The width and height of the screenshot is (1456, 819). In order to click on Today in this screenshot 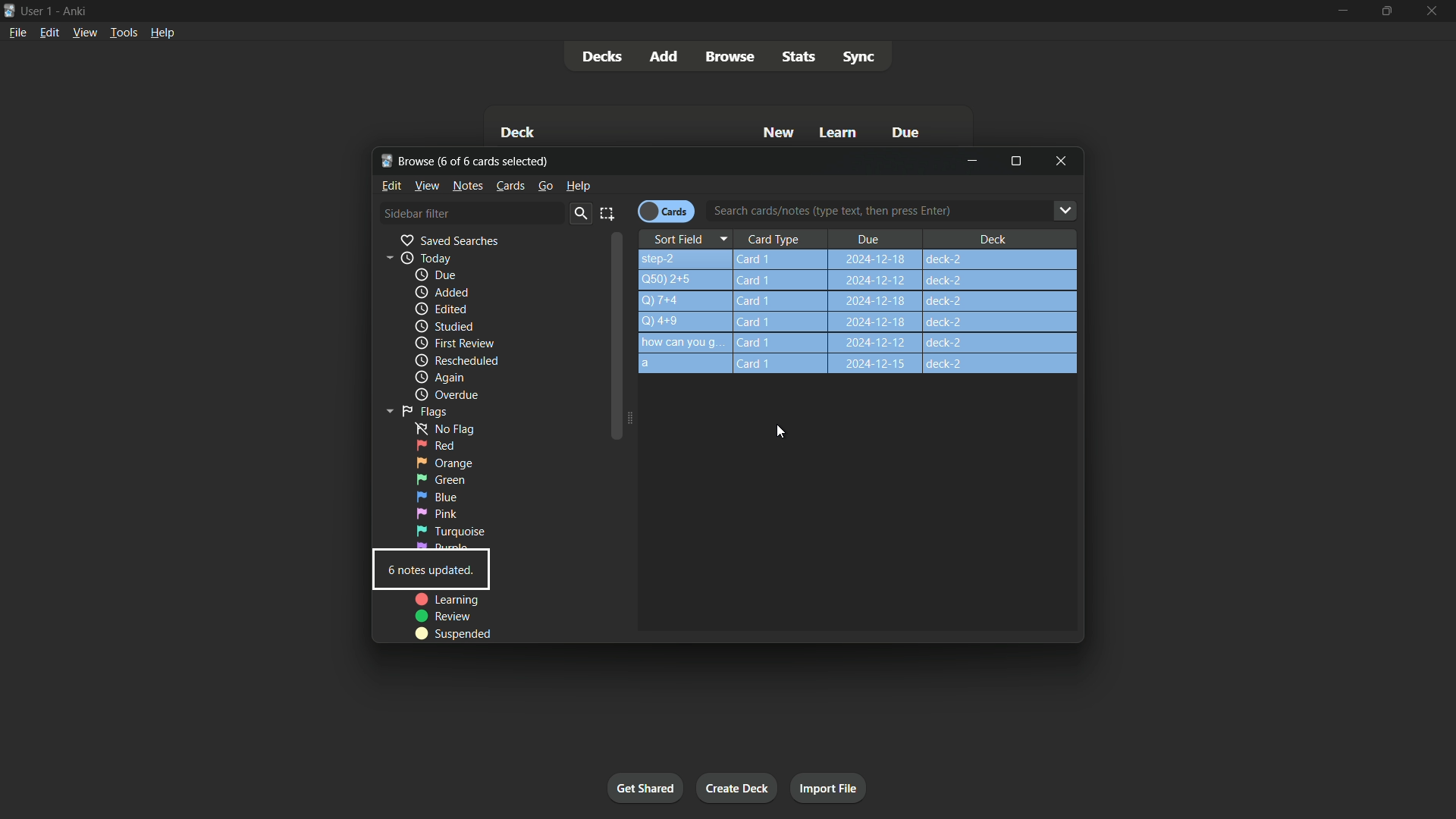, I will do `click(414, 258)`.